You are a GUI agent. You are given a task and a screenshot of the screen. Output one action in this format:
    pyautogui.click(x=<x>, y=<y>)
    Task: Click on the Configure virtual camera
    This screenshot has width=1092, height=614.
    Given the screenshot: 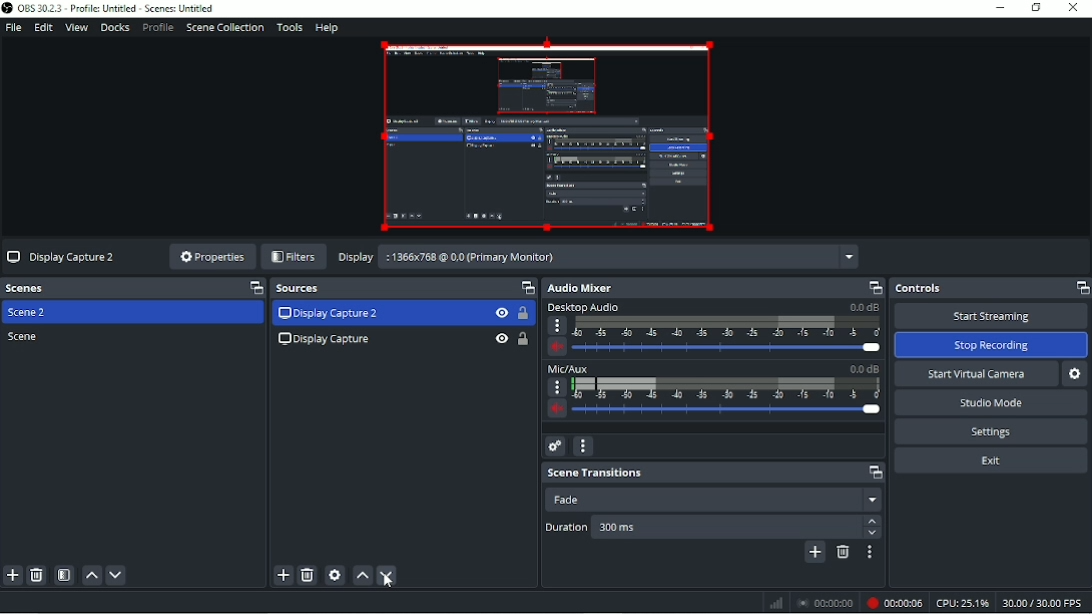 What is the action you would take?
    pyautogui.click(x=1076, y=374)
    